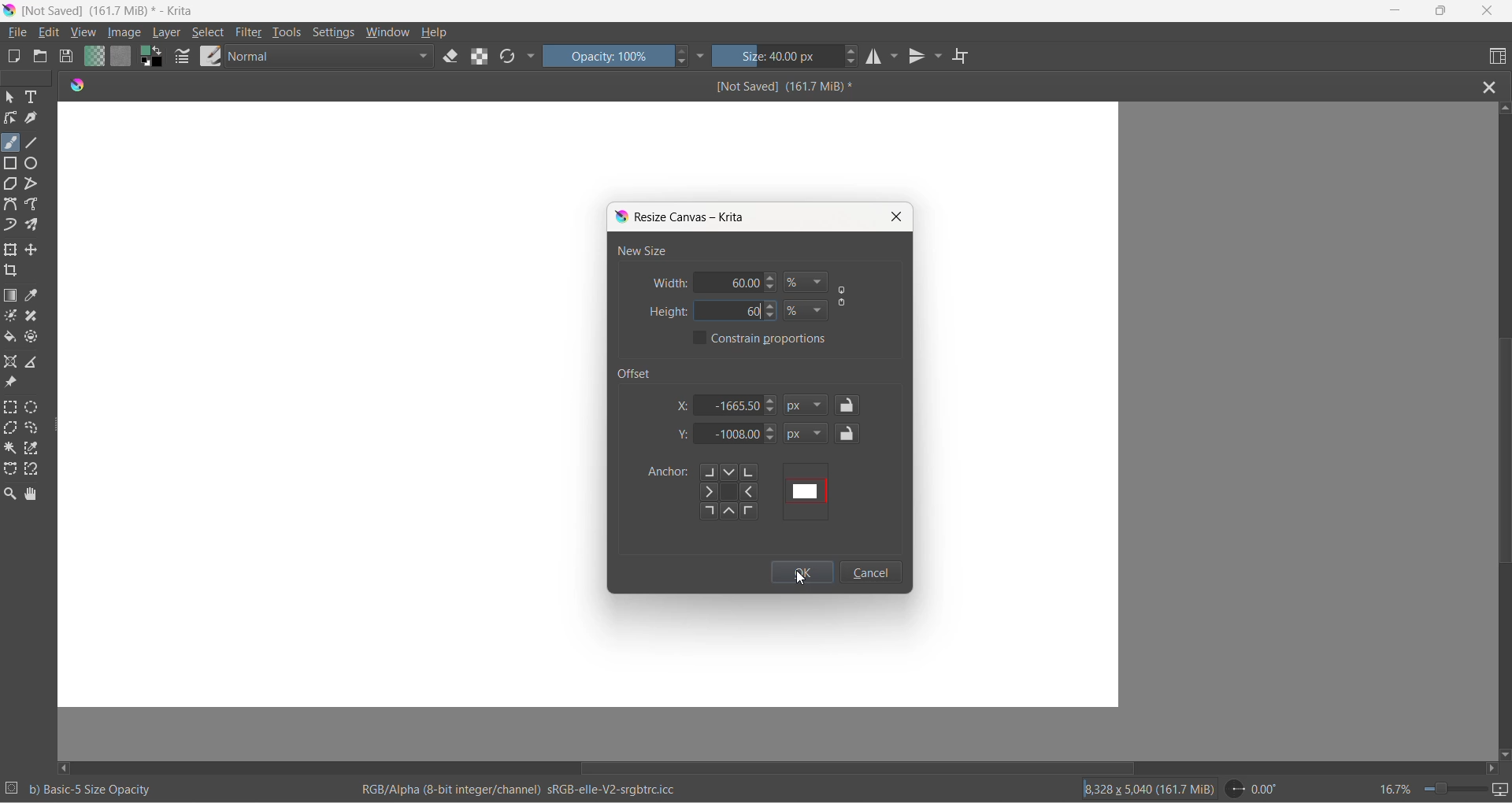 The height and width of the screenshot is (803, 1512). What do you see at coordinates (683, 52) in the screenshot?
I see `increment opacity` at bounding box center [683, 52].